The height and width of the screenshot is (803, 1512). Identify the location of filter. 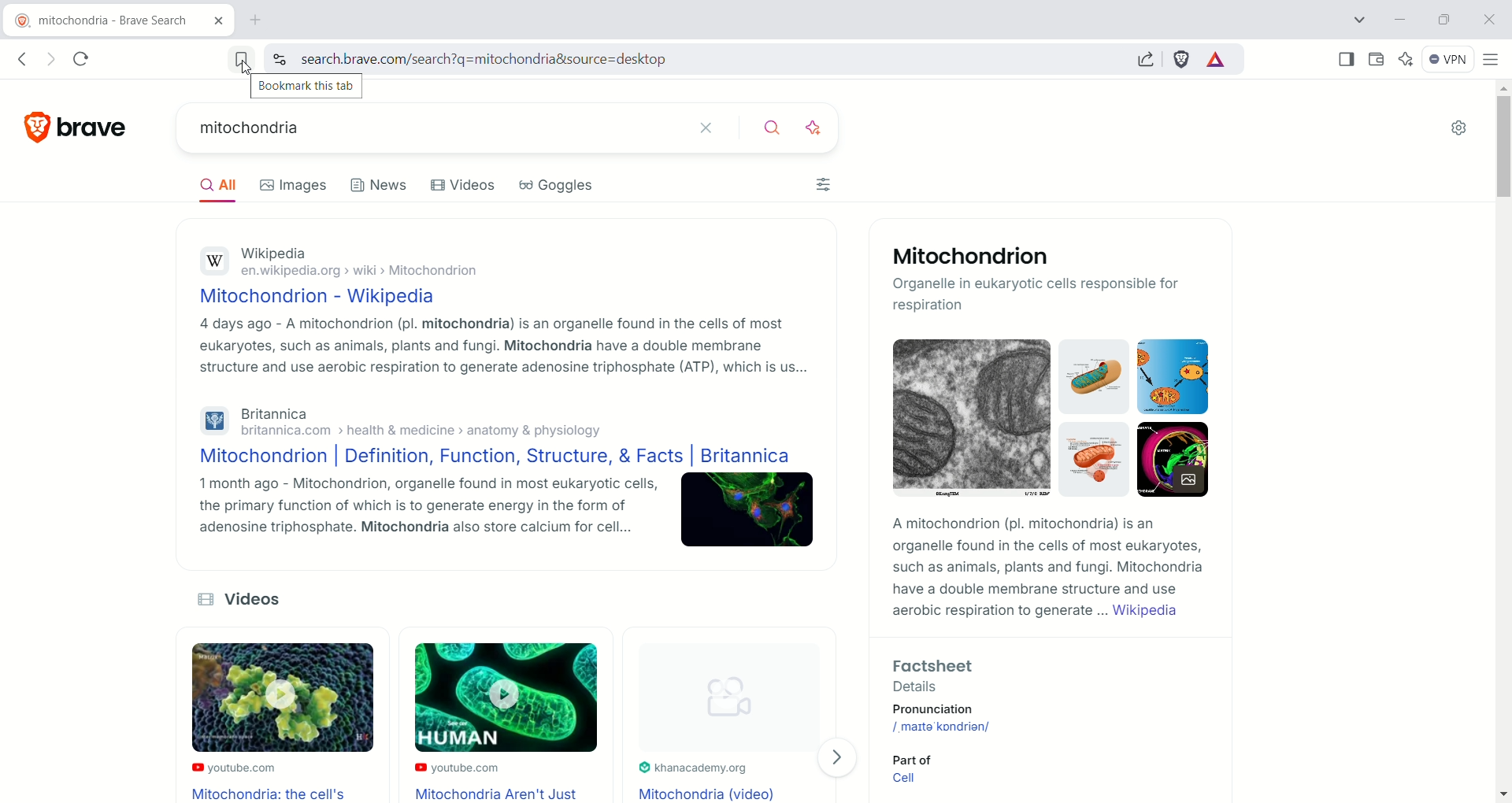
(823, 187).